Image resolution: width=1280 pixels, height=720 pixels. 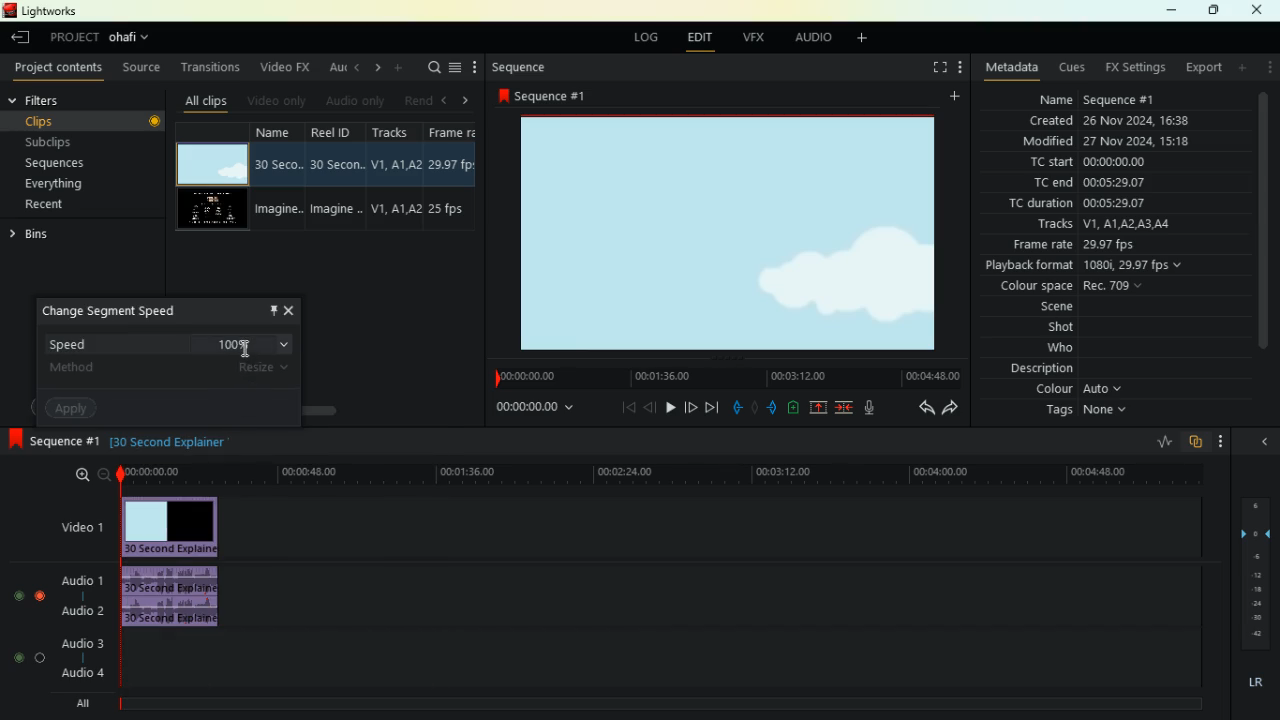 What do you see at coordinates (691, 409) in the screenshot?
I see `forward` at bounding box center [691, 409].